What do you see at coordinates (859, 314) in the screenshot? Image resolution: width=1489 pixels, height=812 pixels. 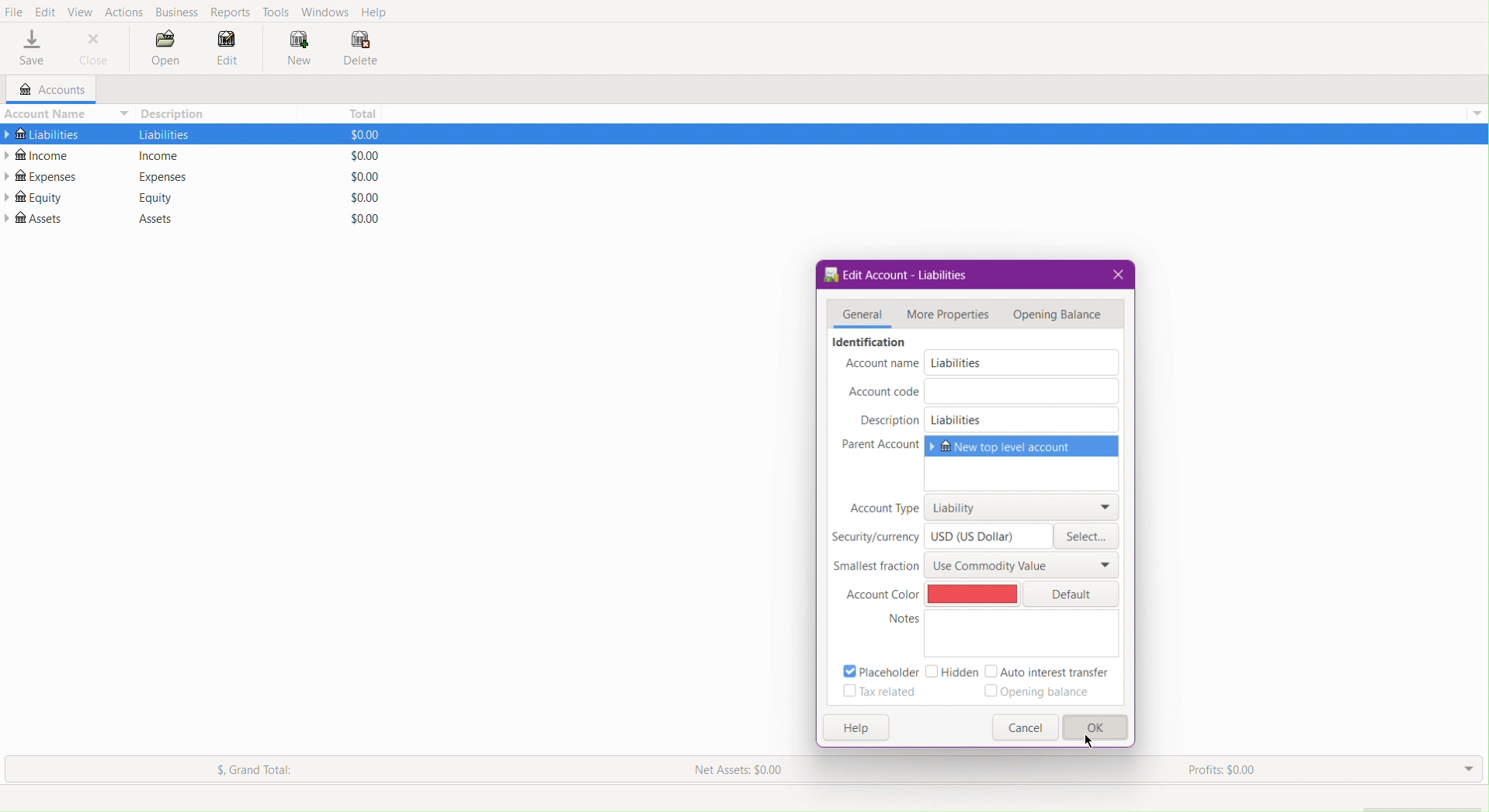 I see `General` at bounding box center [859, 314].